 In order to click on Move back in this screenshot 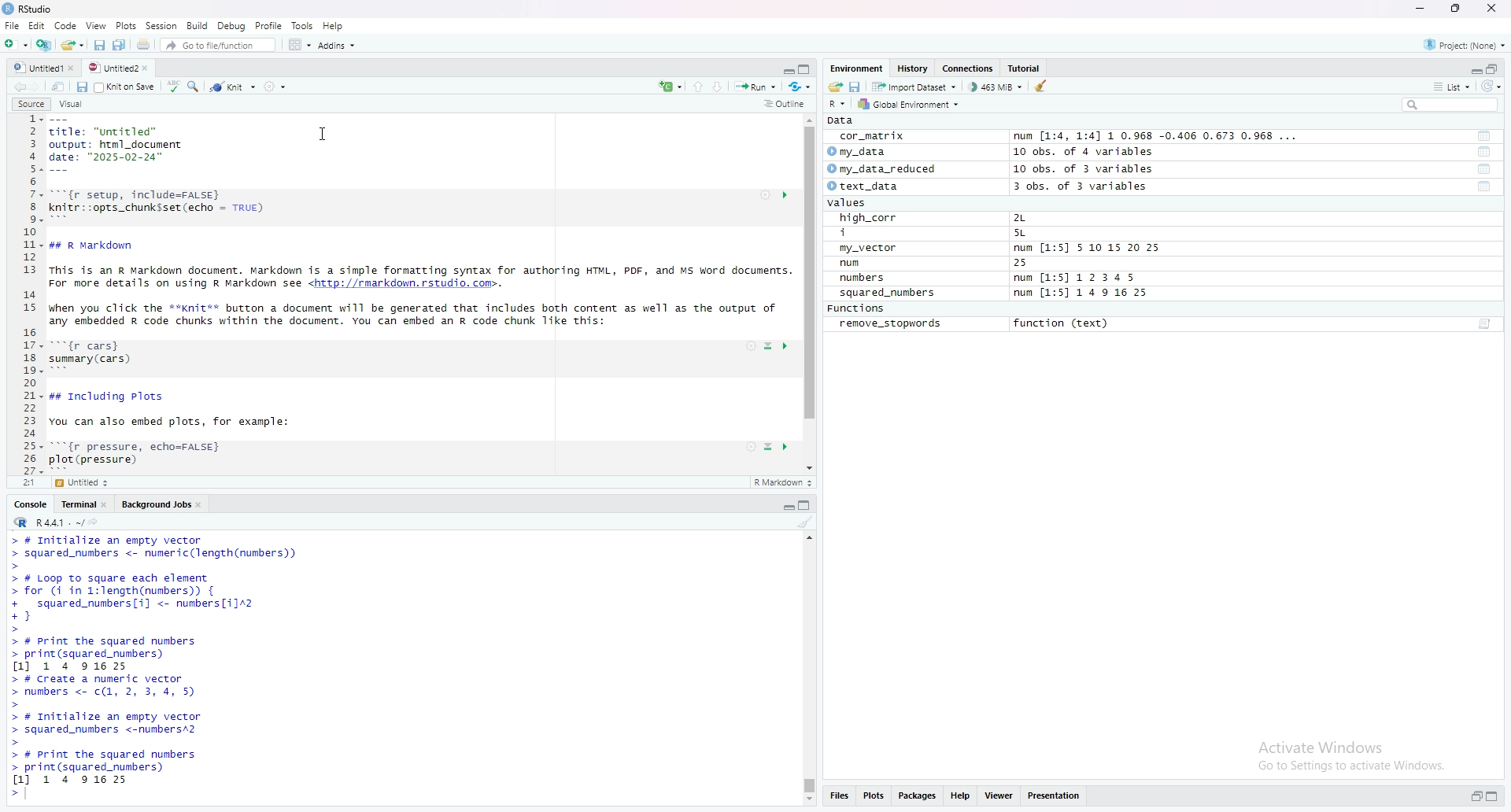, I will do `click(15, 87)`.